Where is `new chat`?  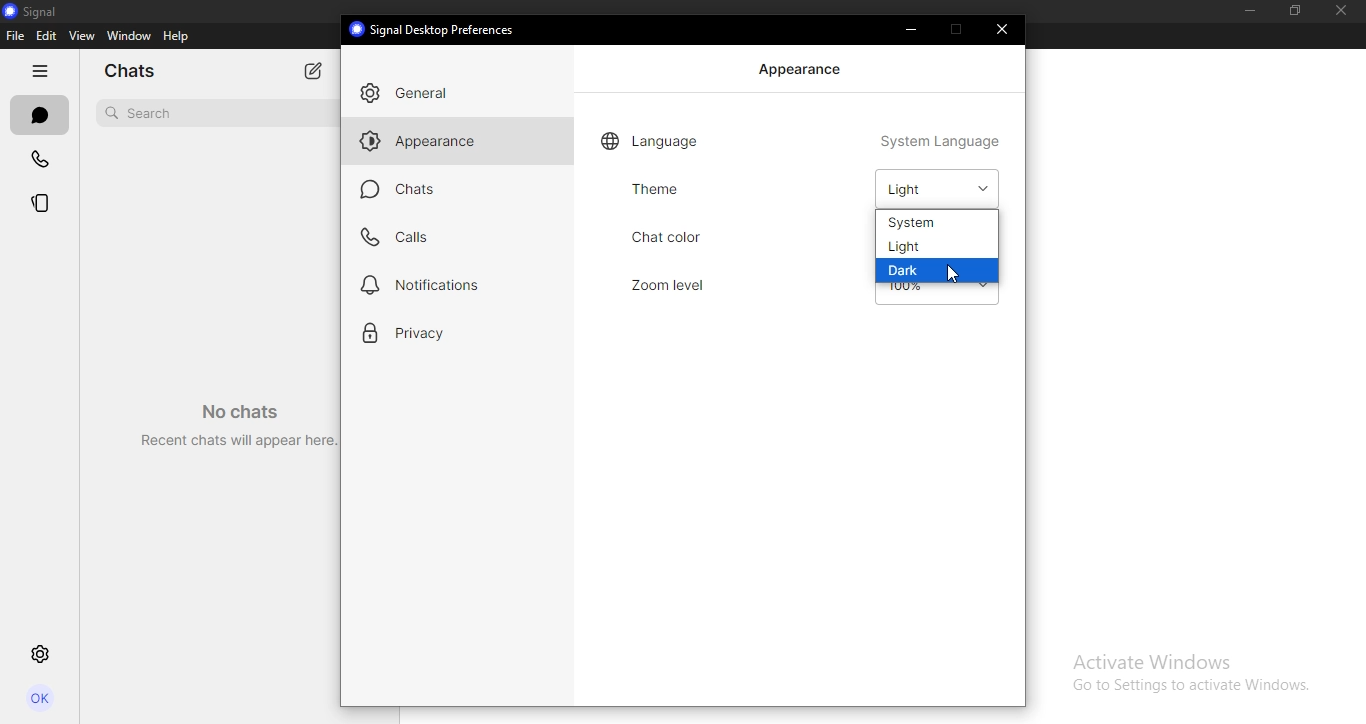
new chat is located at coordinates (314, 69).